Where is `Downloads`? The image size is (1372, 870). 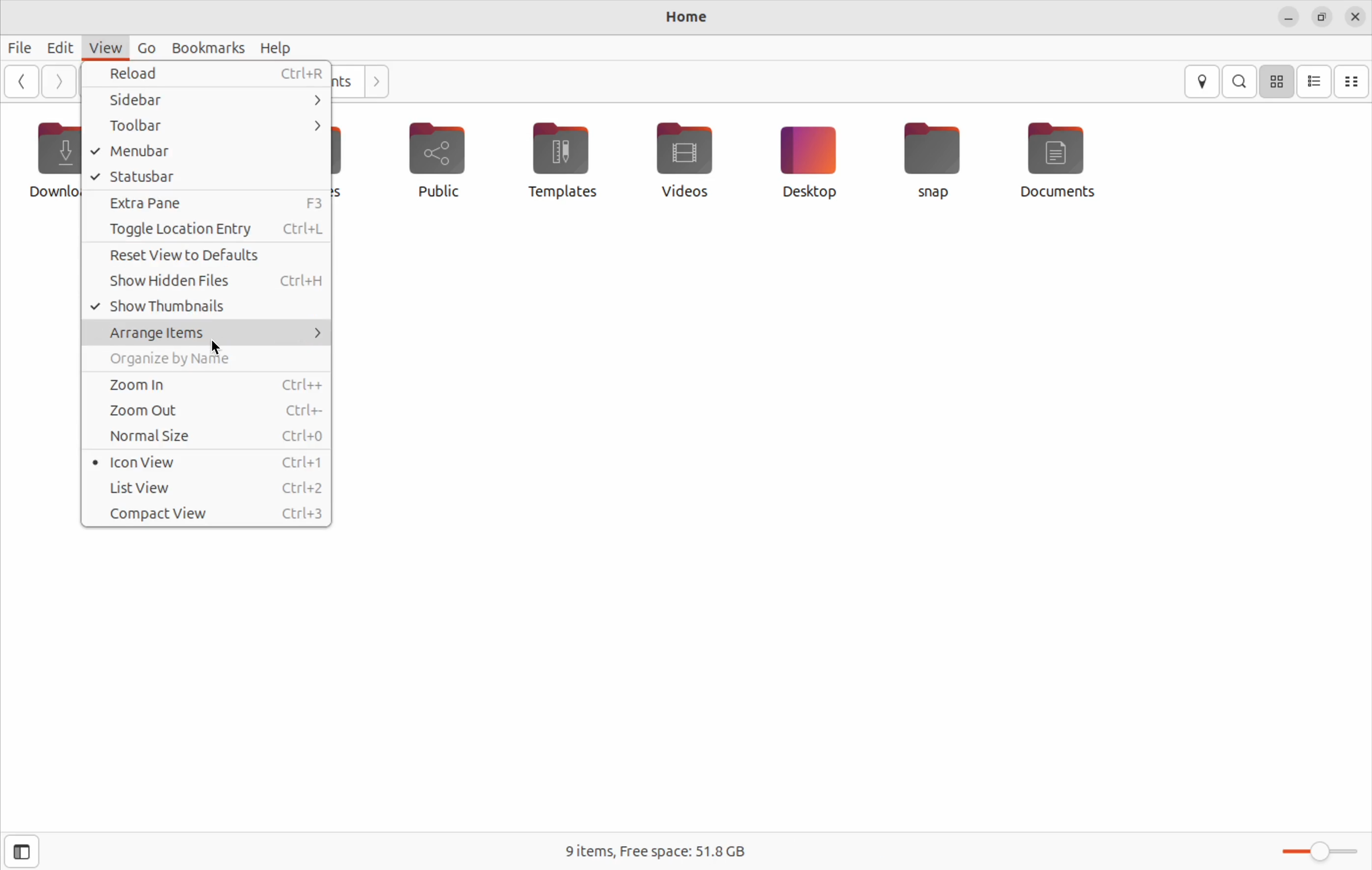
Downloads is located at coordinates (49, 162).